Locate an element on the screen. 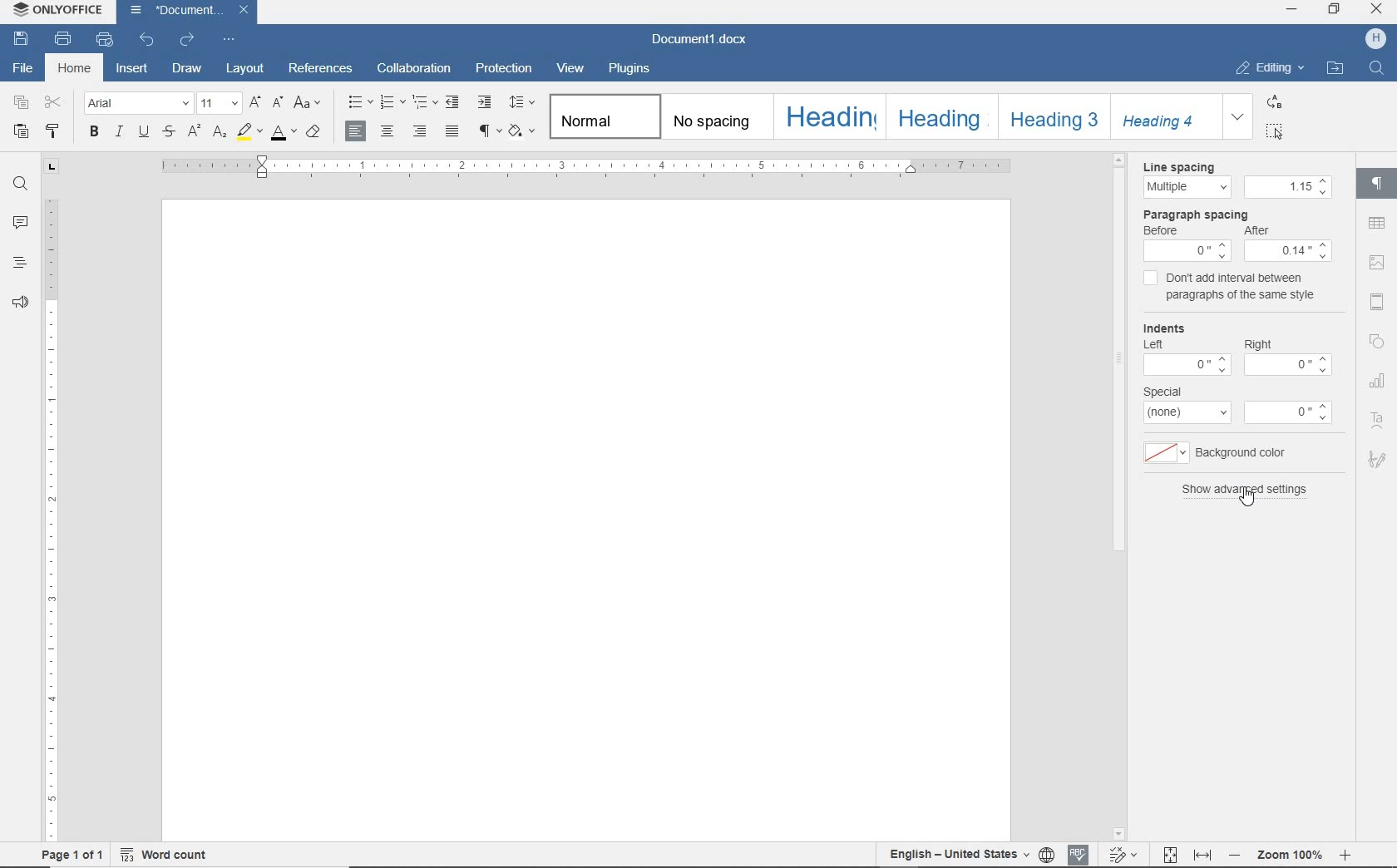 This screenshot has width=1397, height=868. Line spacing:Multipe - 1.15 is located at coordinates (1232, 181).